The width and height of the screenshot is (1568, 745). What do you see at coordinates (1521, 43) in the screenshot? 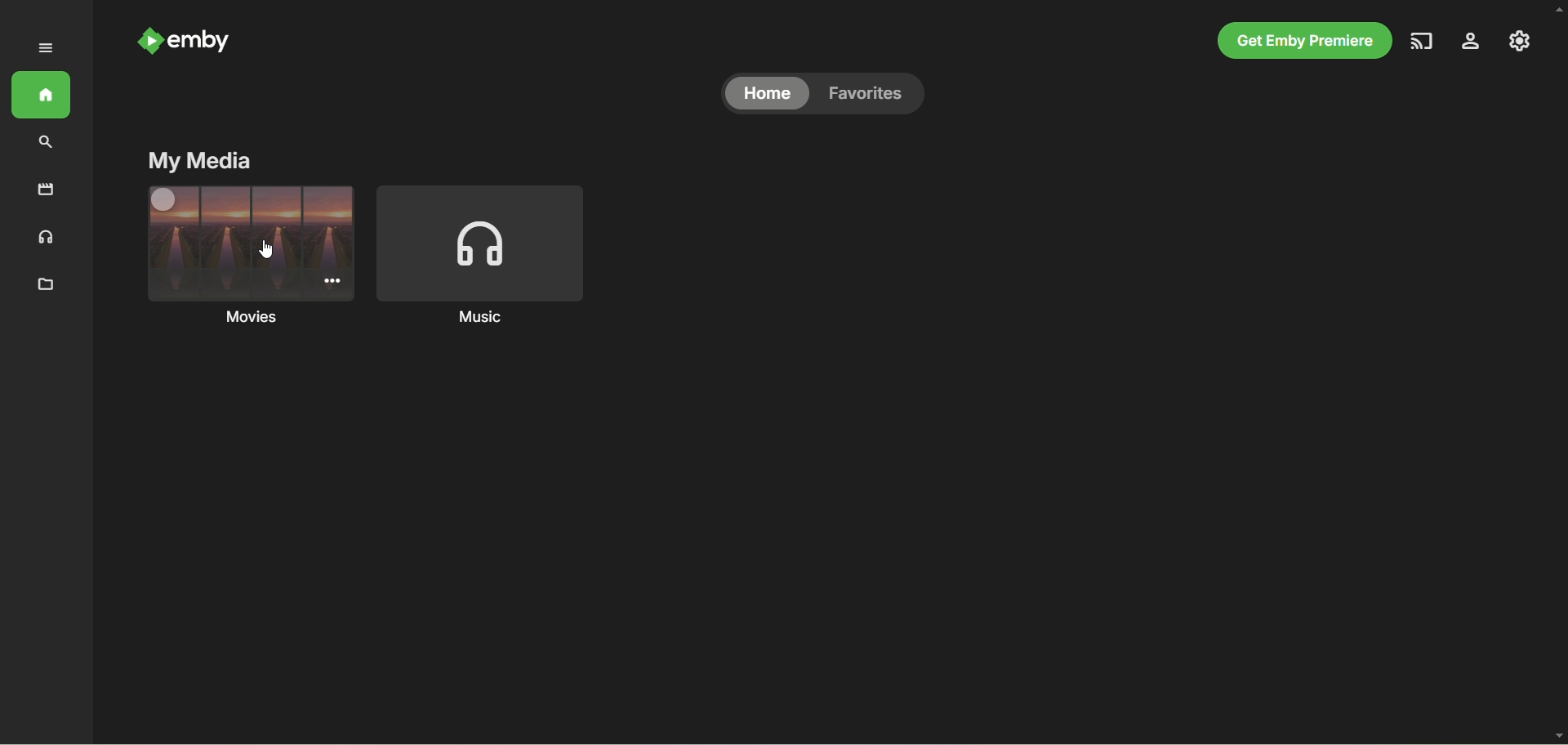
I see `manage emby server` at bounding box center [1521, 43].